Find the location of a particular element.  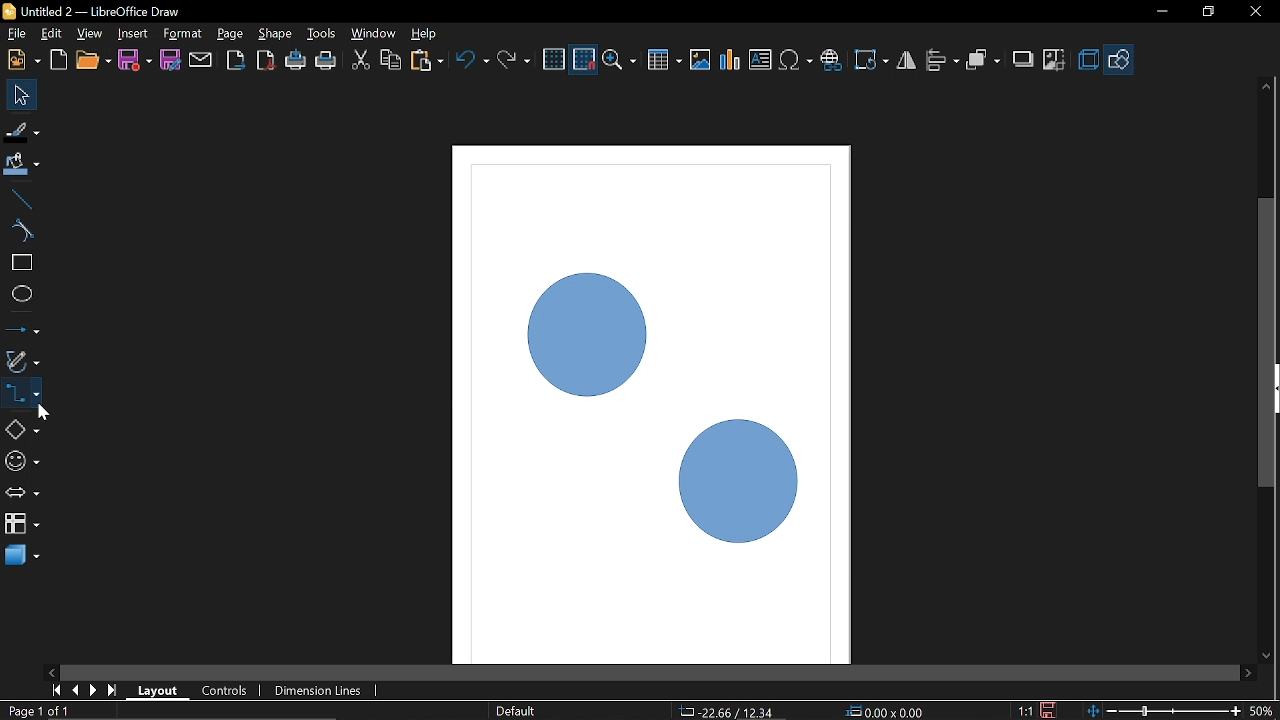

Symbol shapes is located at coordinates (22, 463).